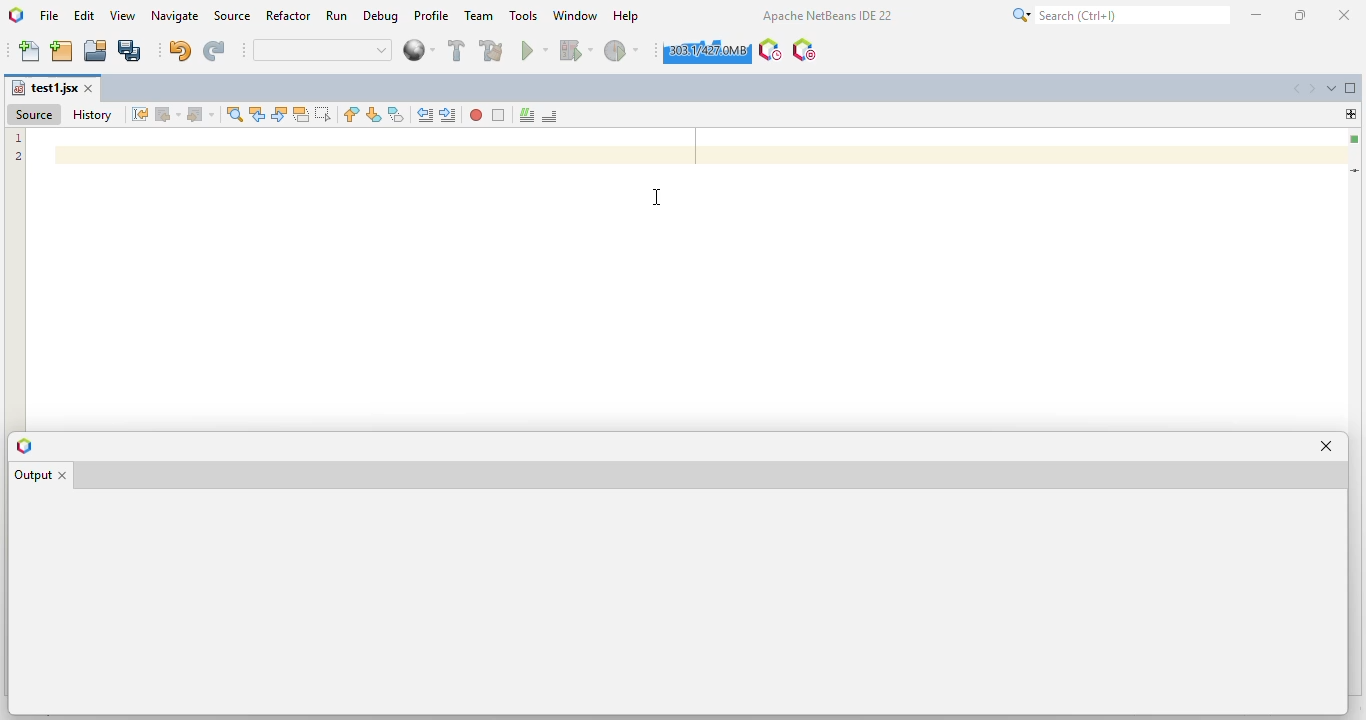 The width and height of the screenshot is (1366, 720). I want to click on find selection, so click(235, 114).